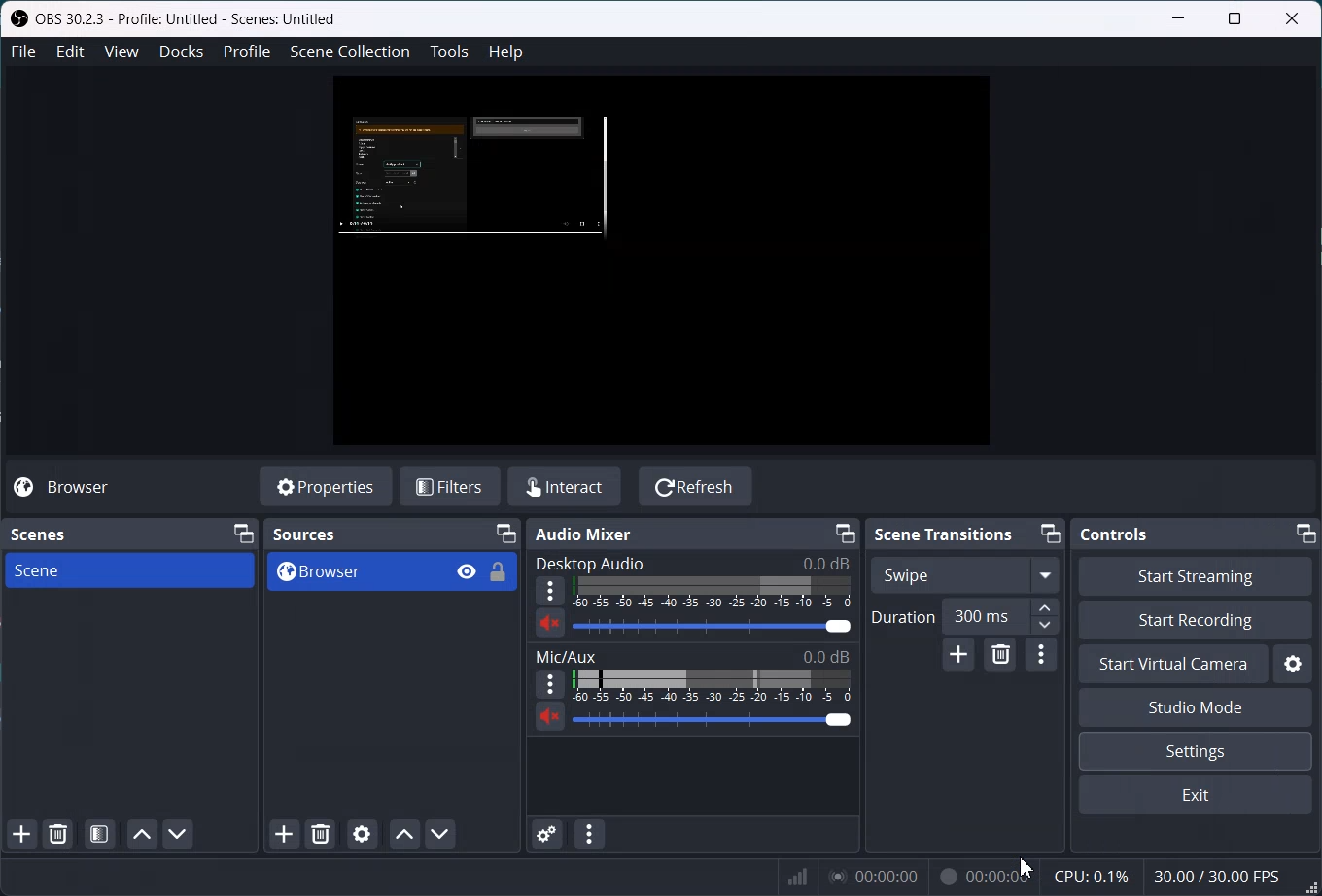 This screenshot has height=896, width=1322. Describe the element at coordinates (944, 535) in the screenshot. I see `Scene Transitions` at that location.